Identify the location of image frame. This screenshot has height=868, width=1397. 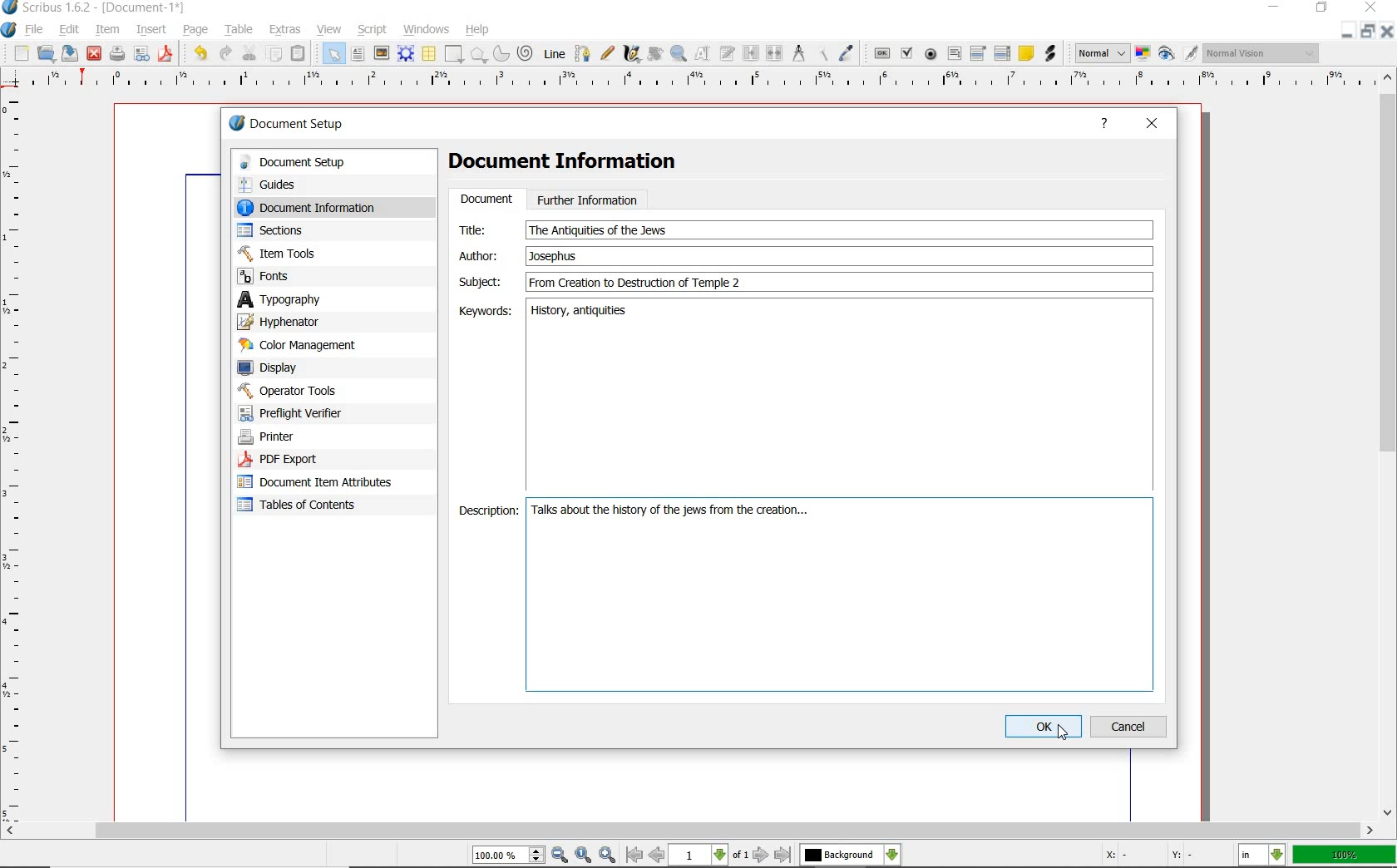
(382, 52).